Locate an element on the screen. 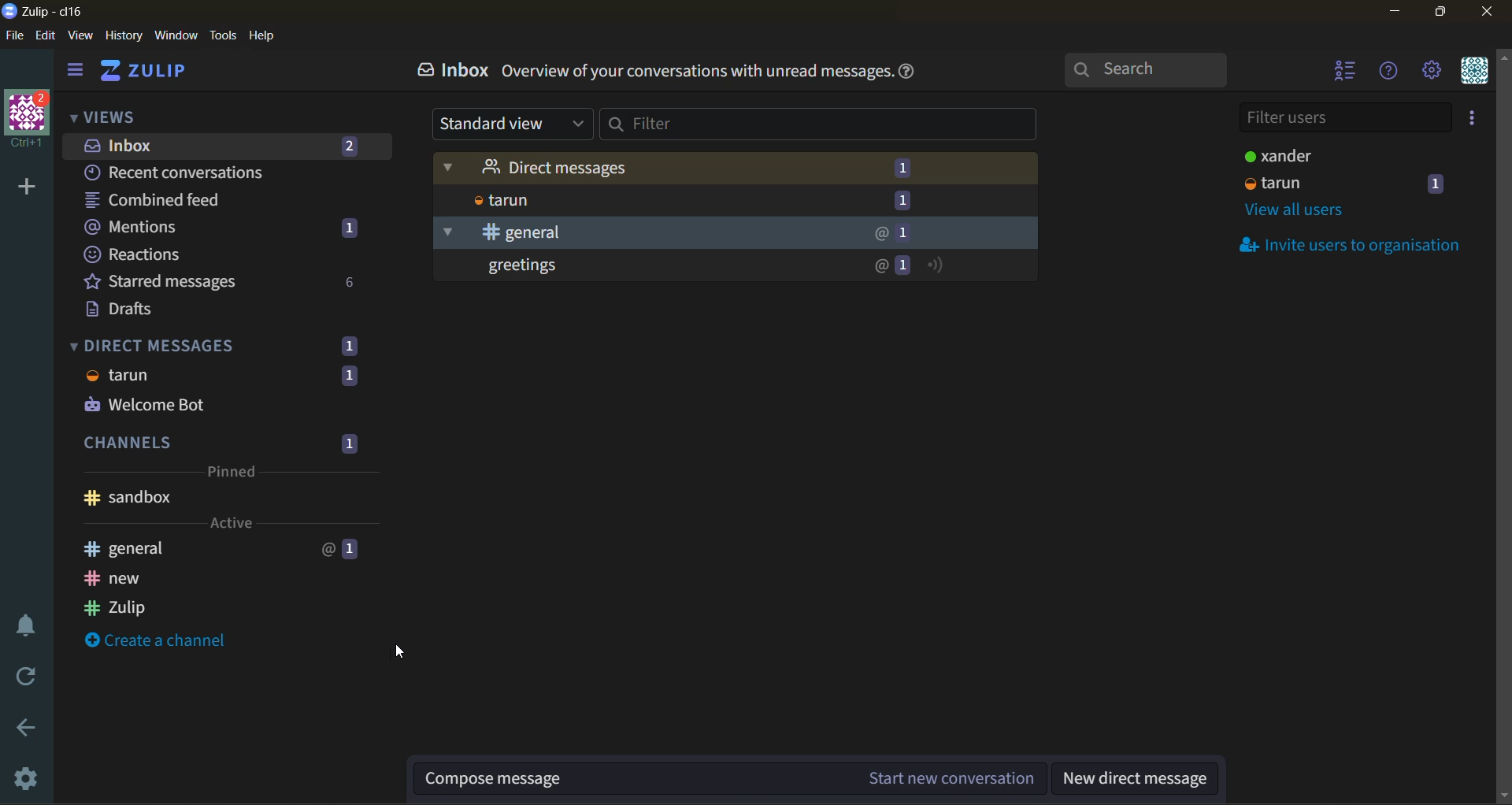  close is located at coordinates (1488, 14).